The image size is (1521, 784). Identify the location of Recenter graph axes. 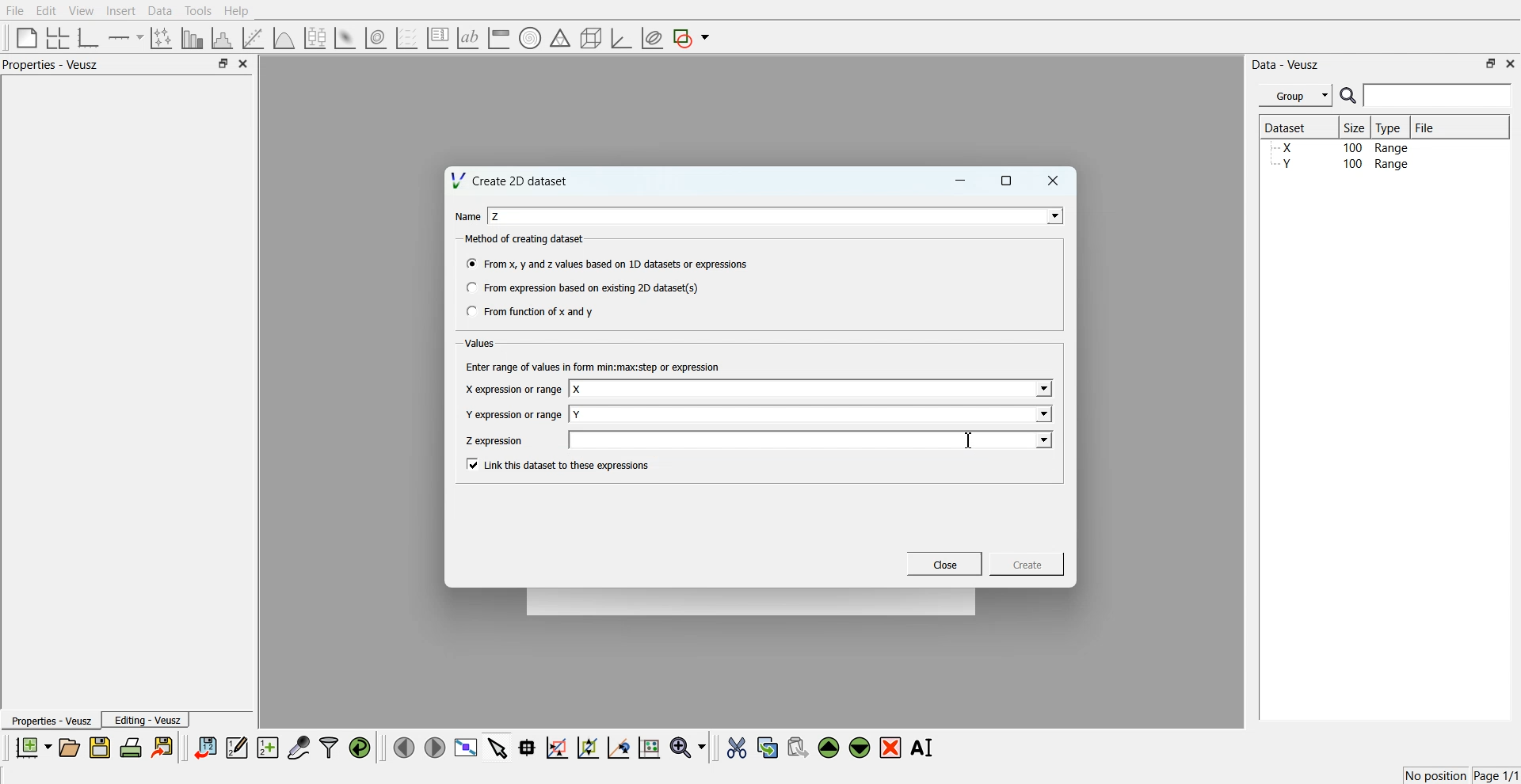
(619, 747).